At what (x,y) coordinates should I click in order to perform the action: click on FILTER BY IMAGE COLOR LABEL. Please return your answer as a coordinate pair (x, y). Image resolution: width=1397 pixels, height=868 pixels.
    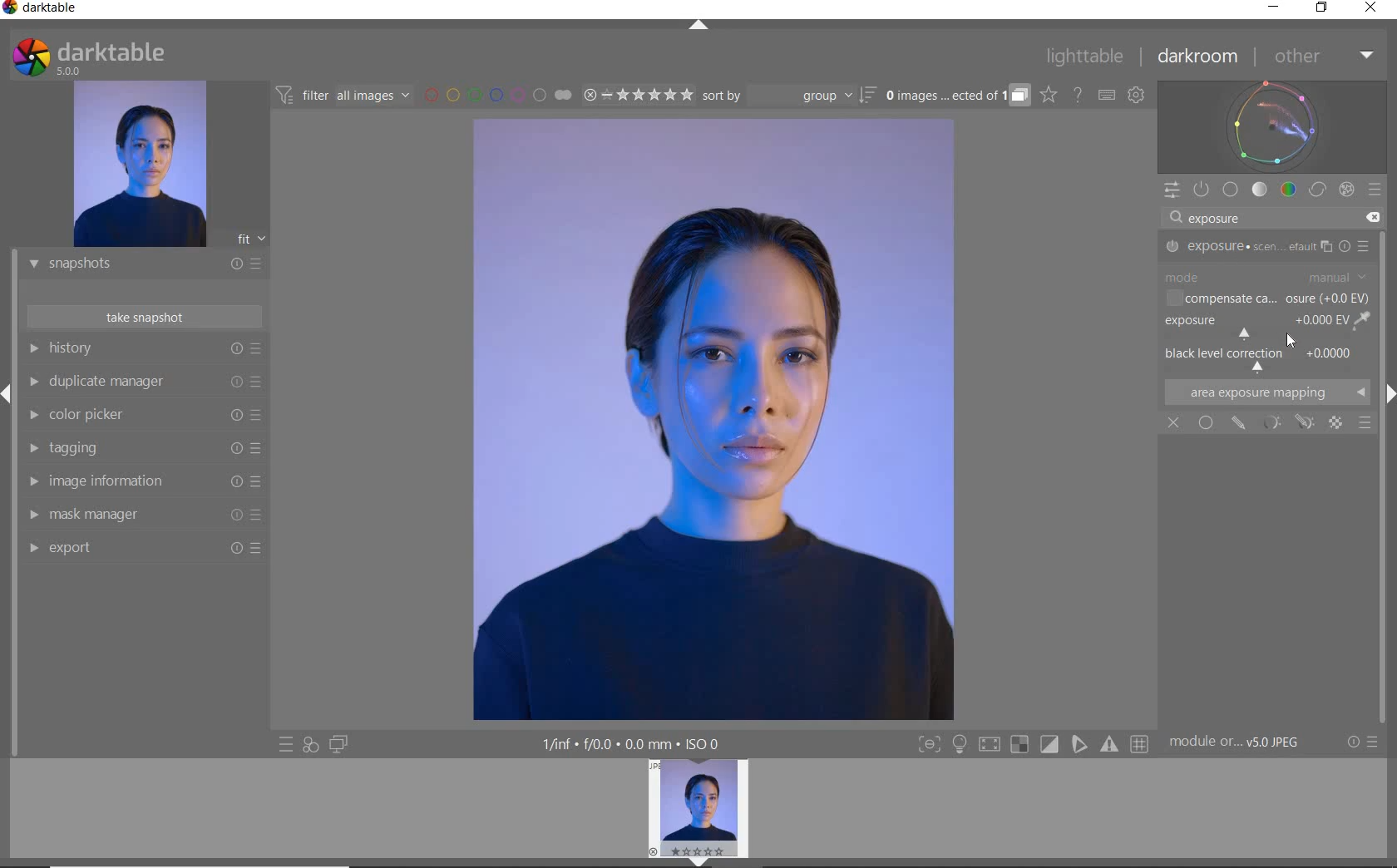
    Looking at the image, I should click on (498, 94).